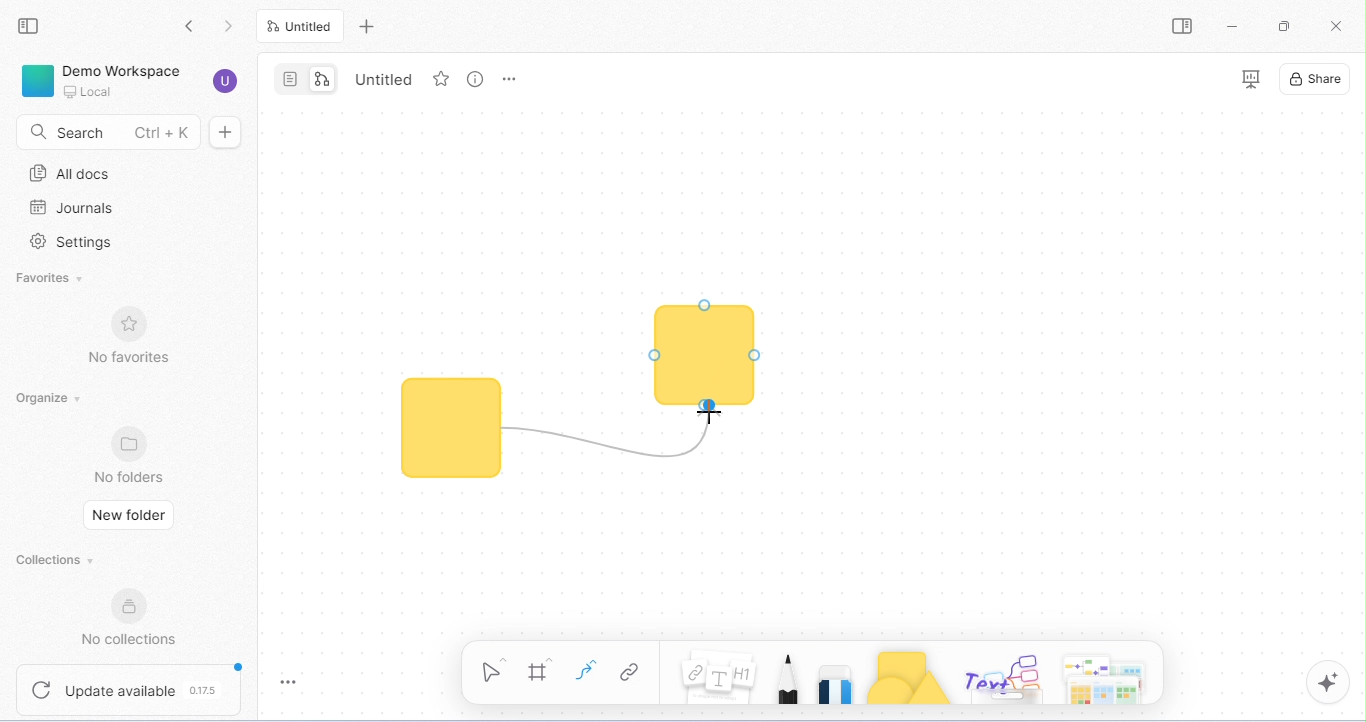 Image resolution: width=1366 pixels, height=722 pixels. Describe the element at coordinates (226, 83) in the screenshot. I see `account` at that location.